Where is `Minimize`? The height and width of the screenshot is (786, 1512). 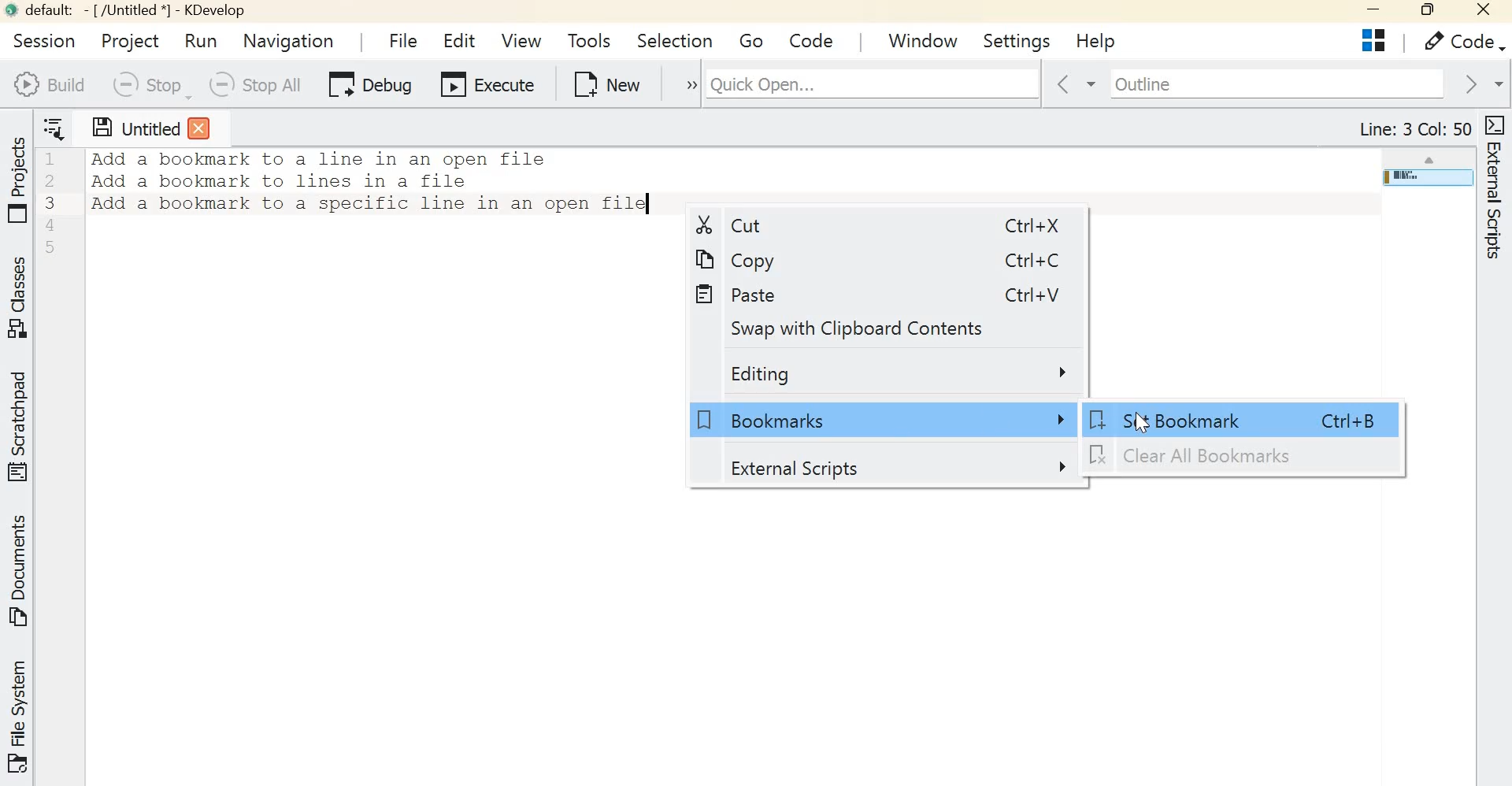 Minimize is located at coordinates (1376, 12).